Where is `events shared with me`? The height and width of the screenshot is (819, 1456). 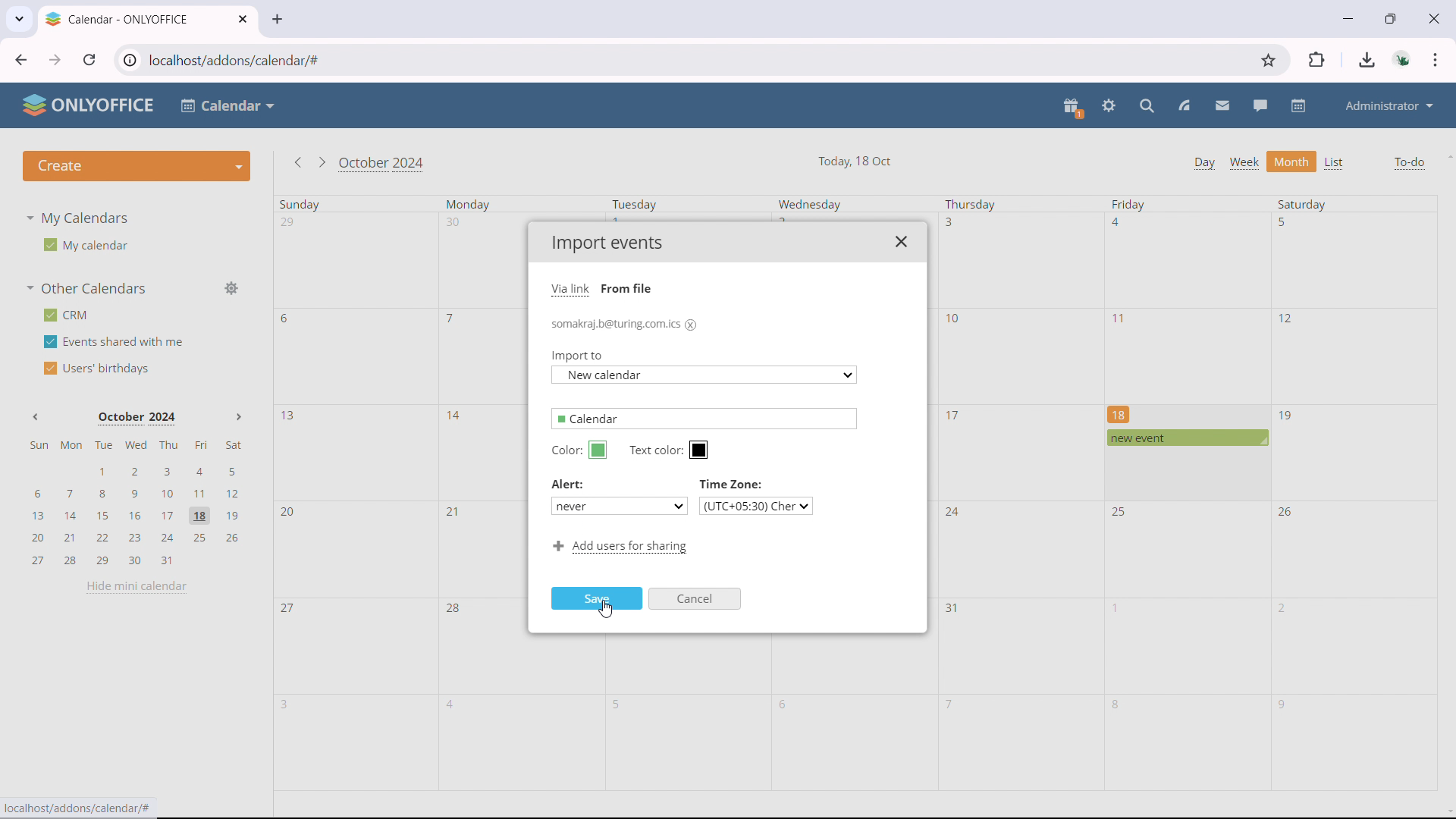 events shared with me is located at coordinates (115, 341).